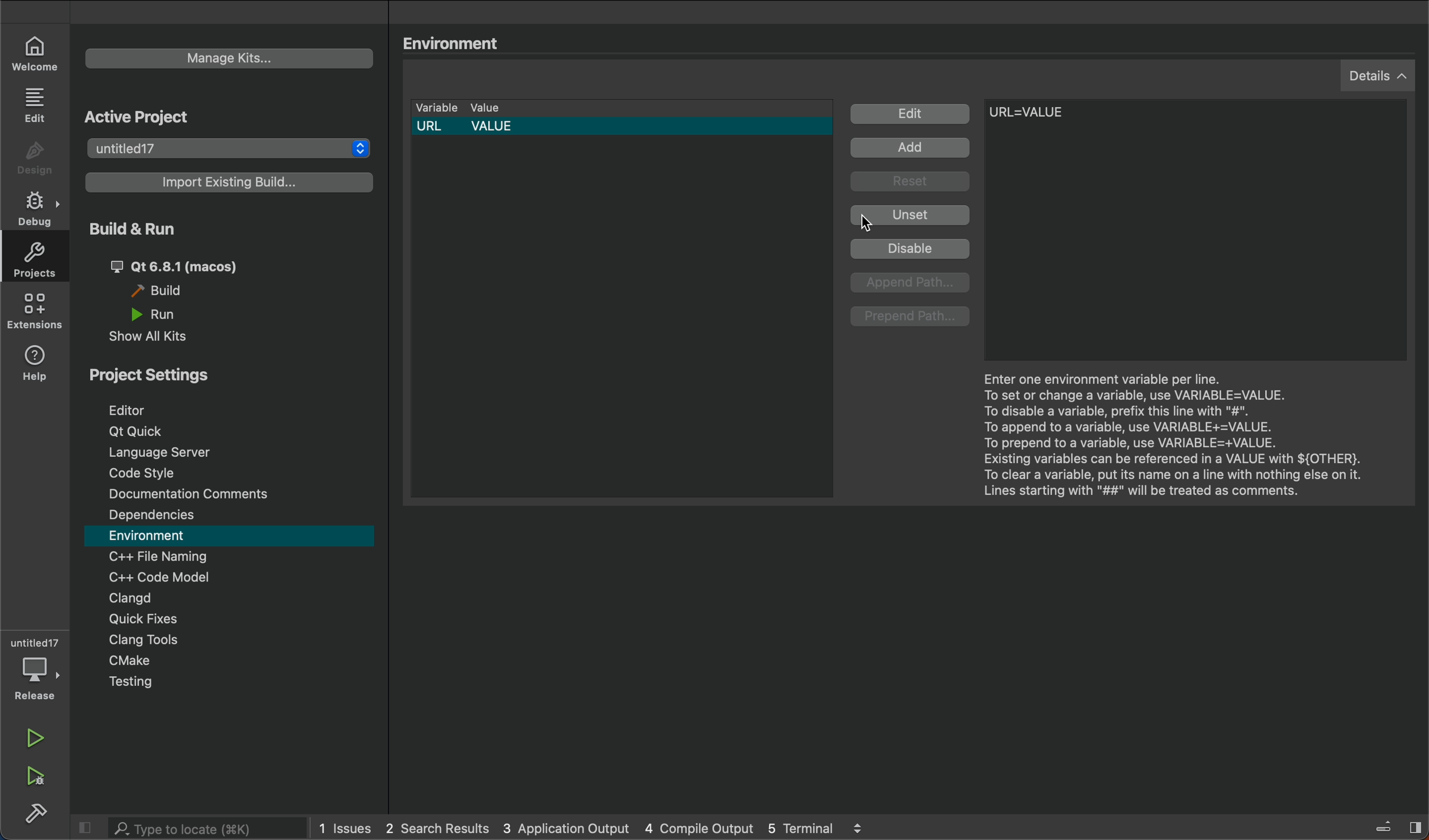 This screenshot has height=840, width=1429. What do you see at coordinates (191, 828) in the screenshot?
I see `search` at bounding box center [191, 828].